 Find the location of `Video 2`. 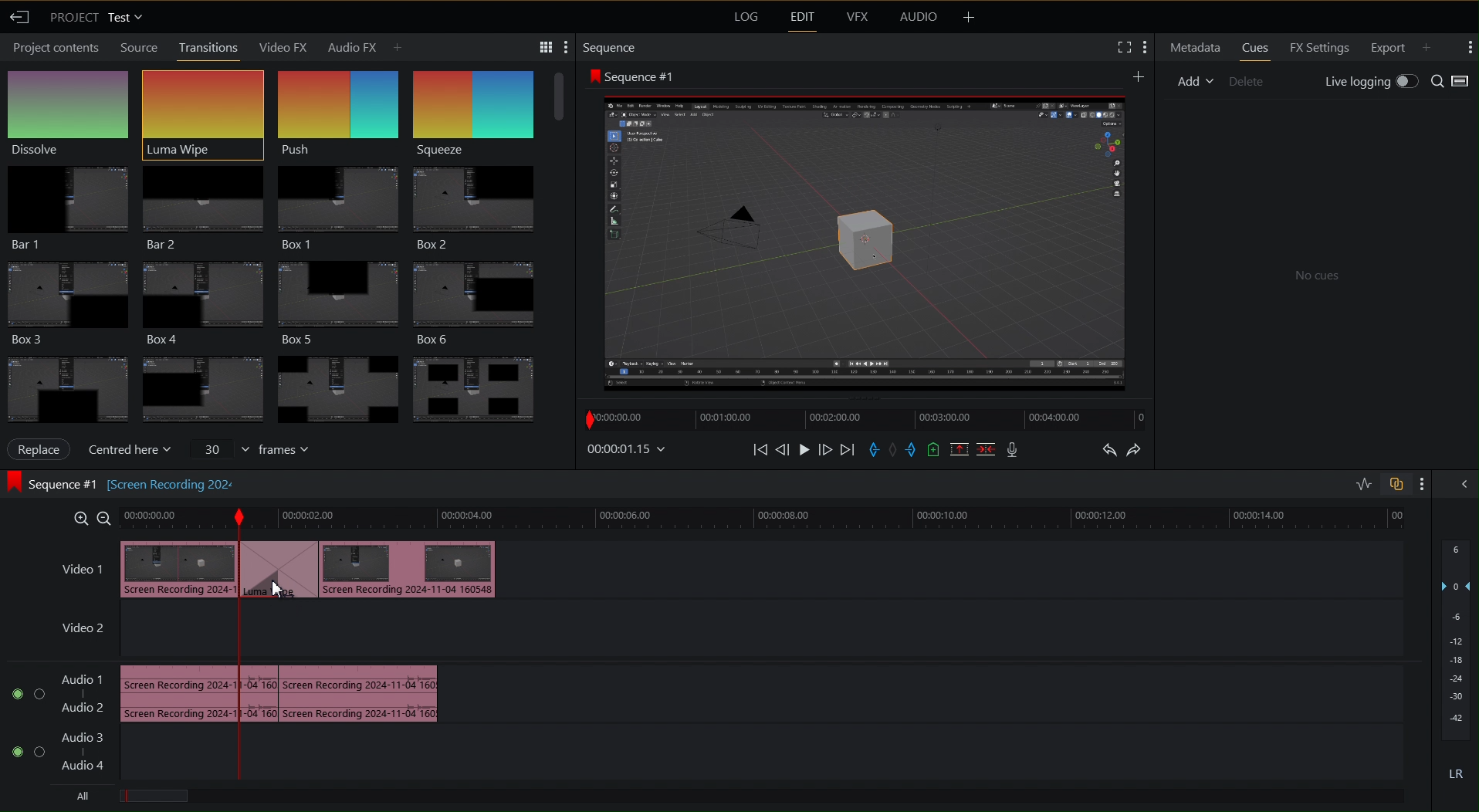

Video 2 is located at coordinates (83, 631).